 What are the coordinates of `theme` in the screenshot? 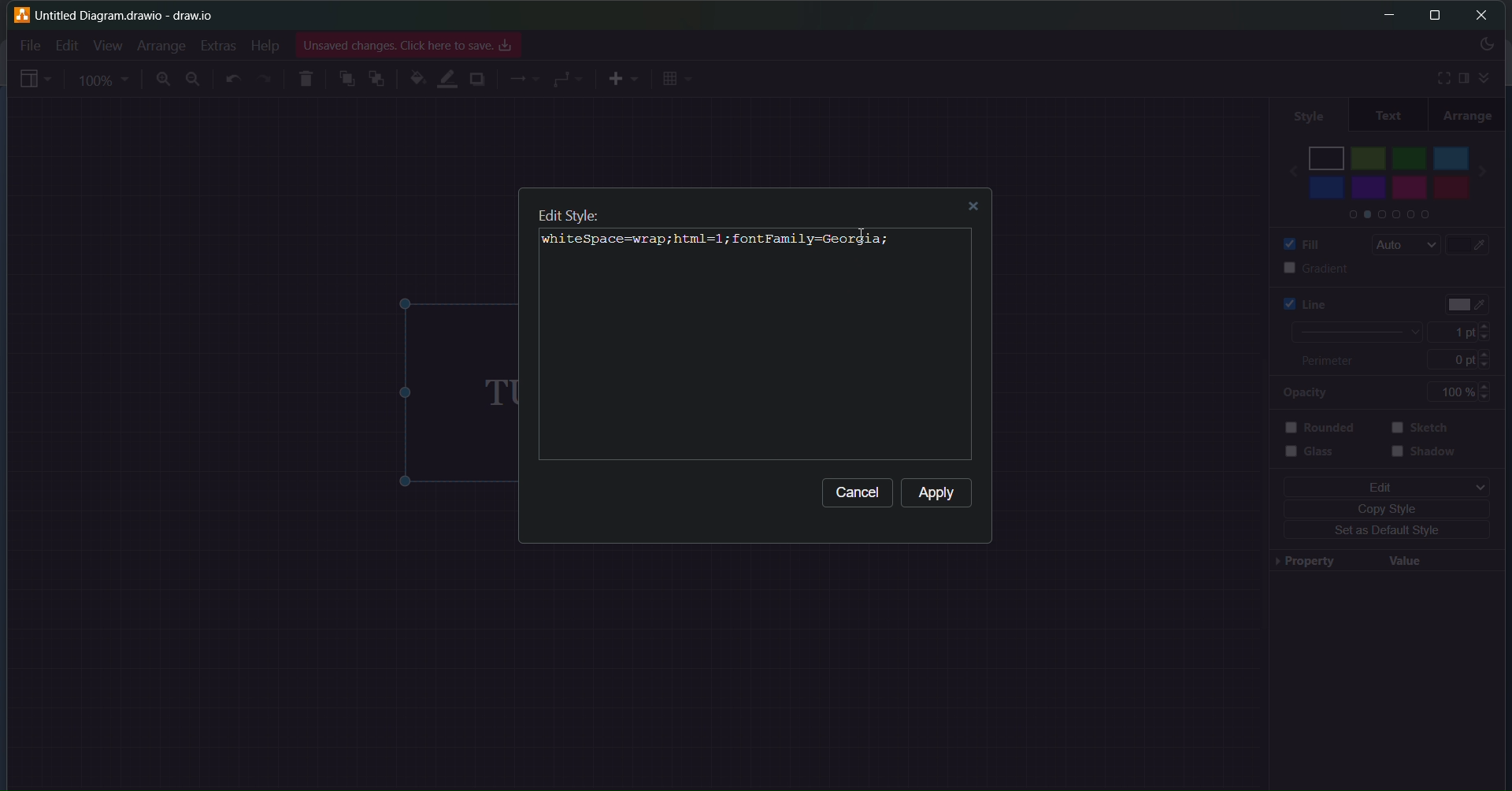 It's located at (1485, 46).